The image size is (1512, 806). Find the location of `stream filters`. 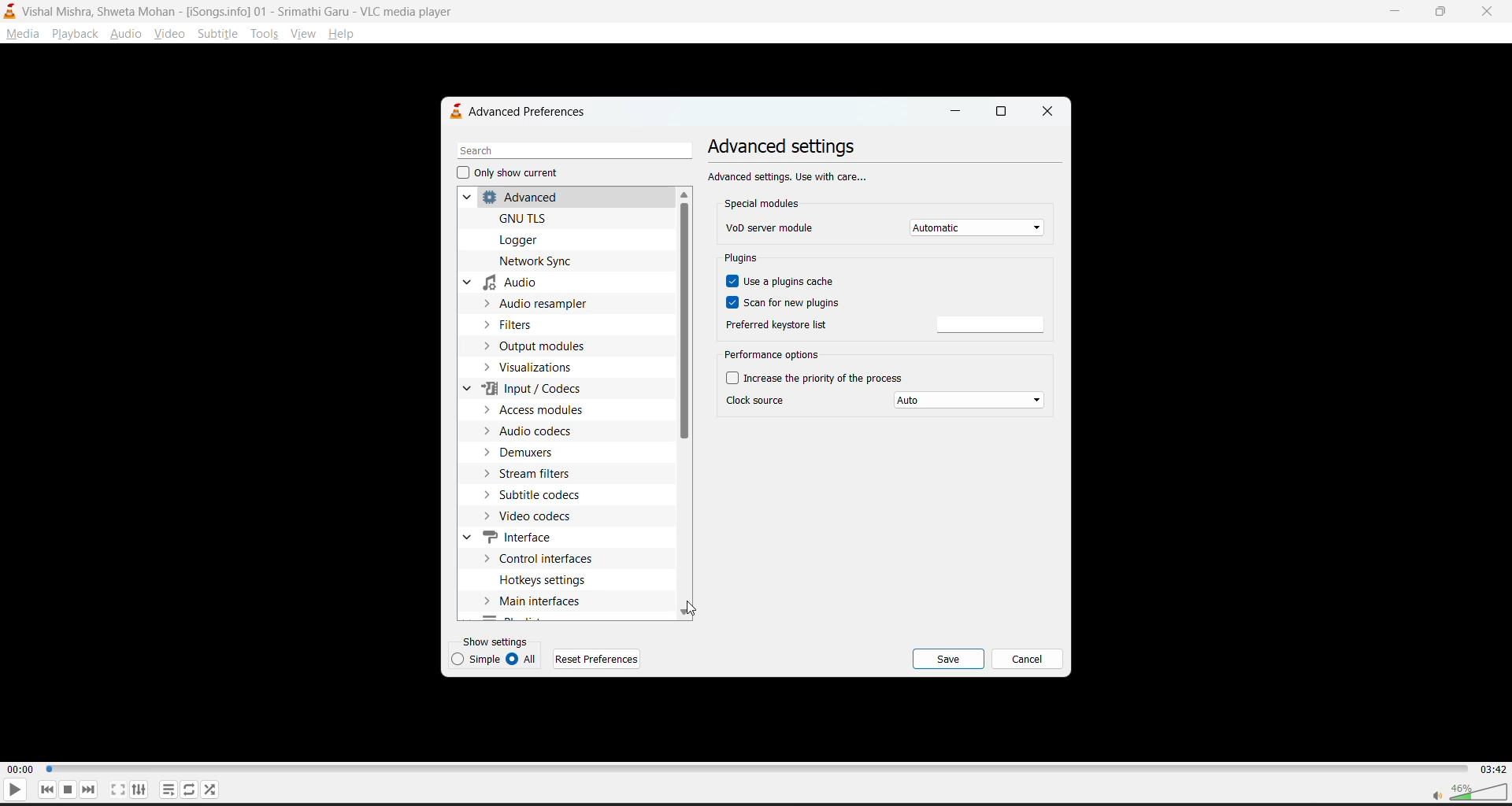

stream filters is located at coordinates (533, 476).